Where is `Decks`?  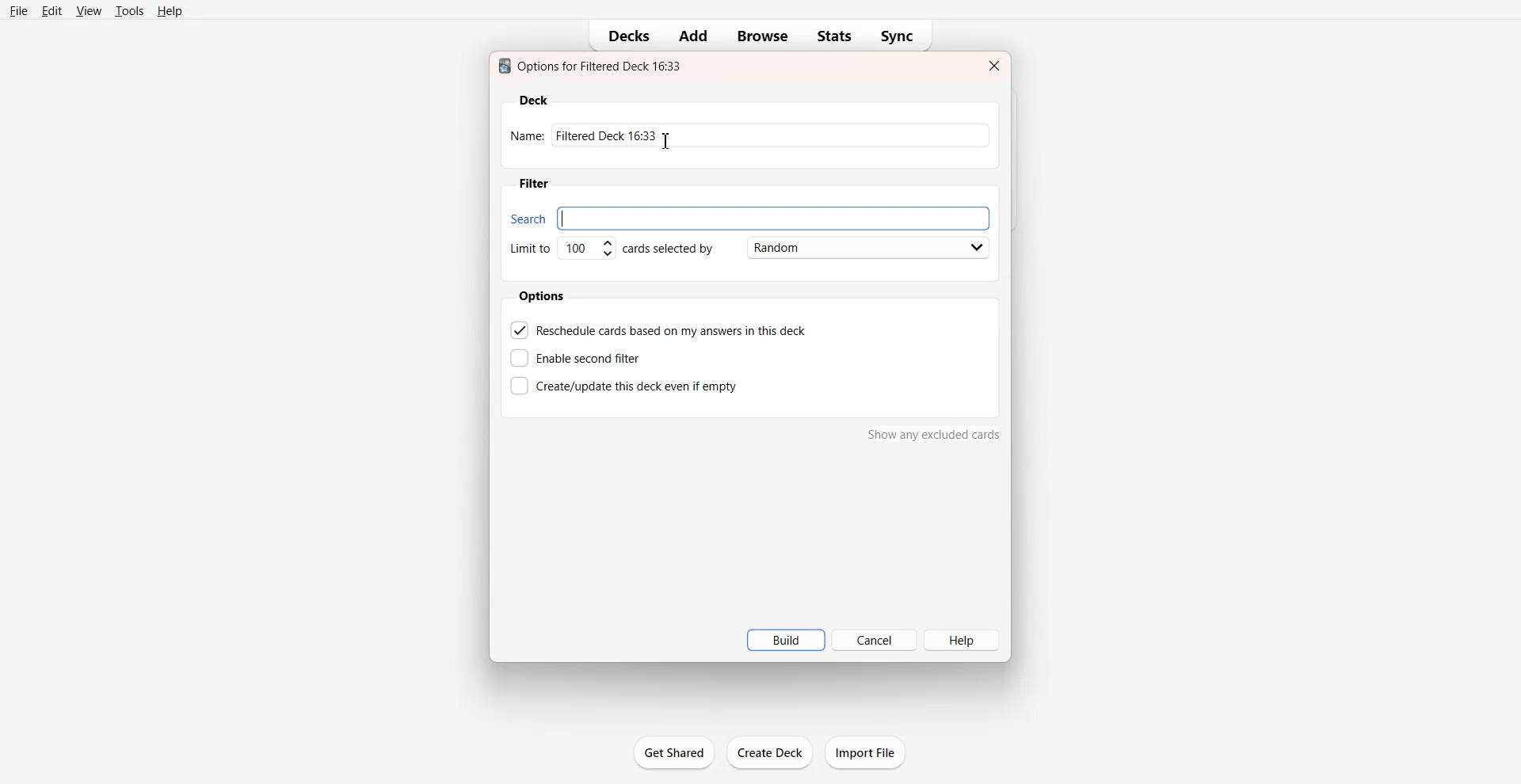 Decks is located at coordinates (623, 36).